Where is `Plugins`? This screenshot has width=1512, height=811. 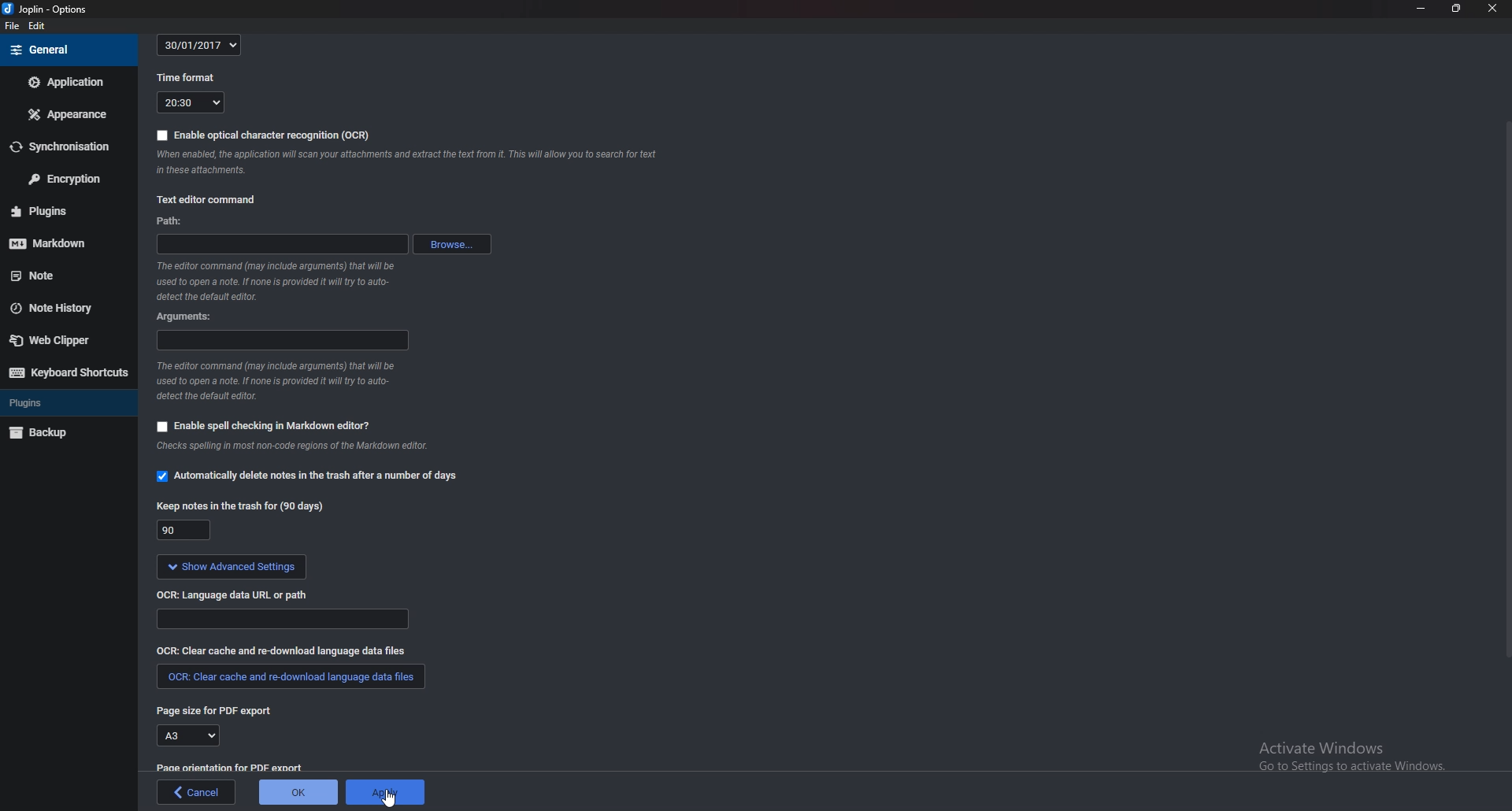
Plugins is located at coordinates (66, 402).